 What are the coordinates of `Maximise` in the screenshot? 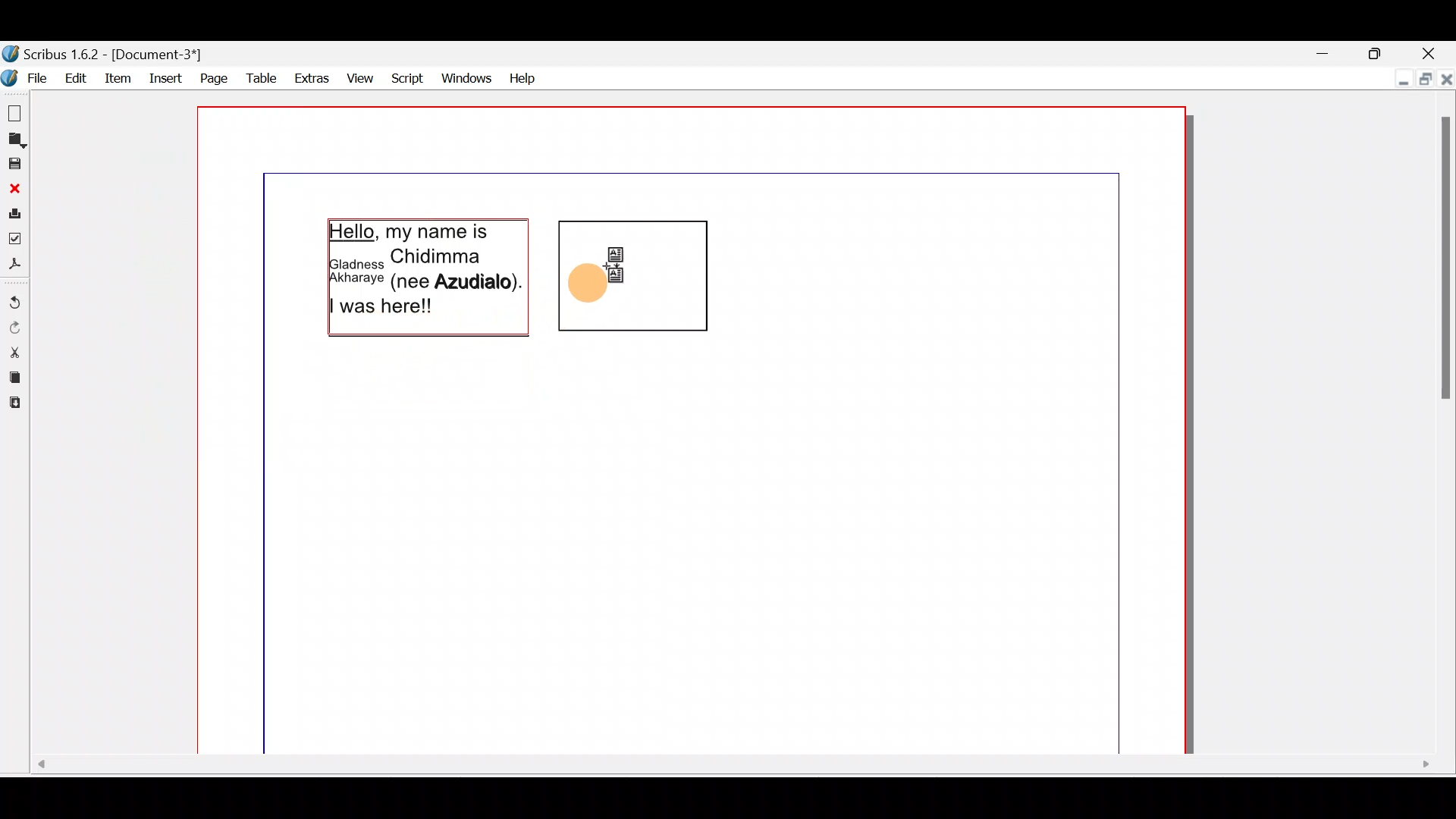 It's located at (1378, 51).